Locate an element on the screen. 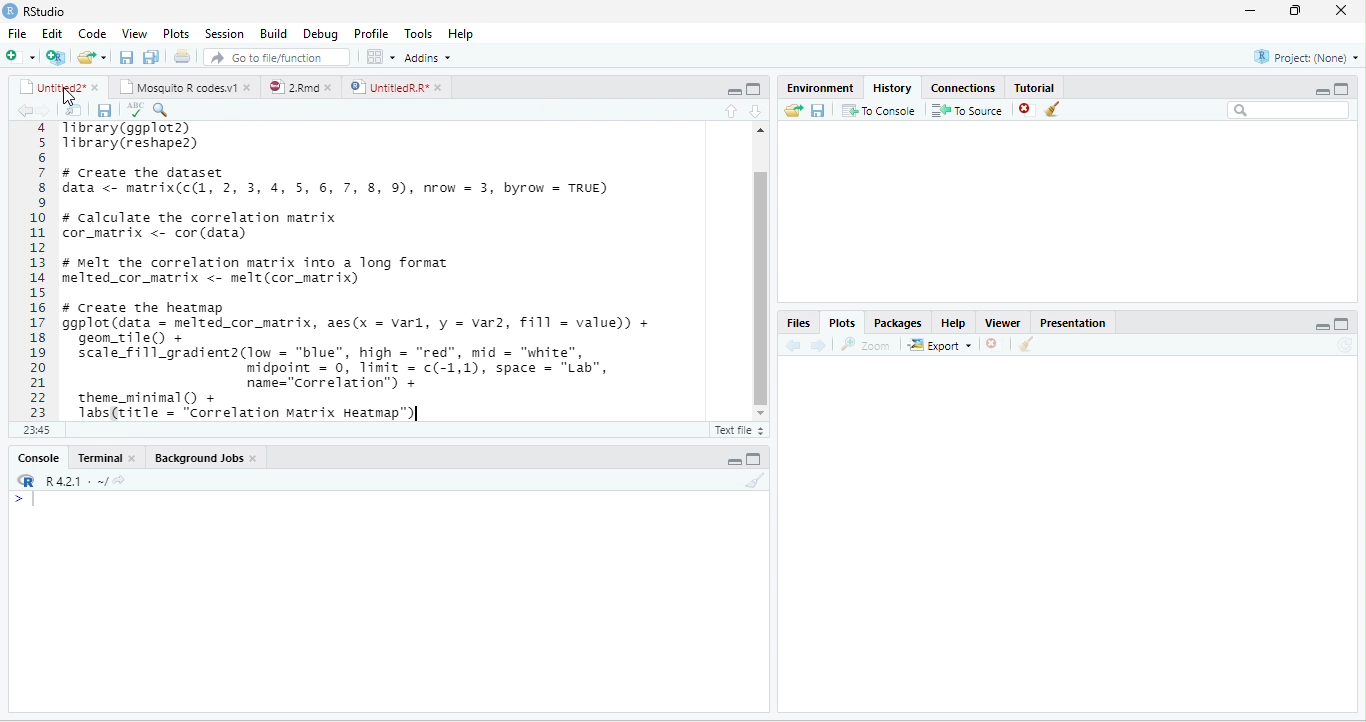 The height and width of the screenshot is (722, 1366). send file is located at coordinates (786, 110).